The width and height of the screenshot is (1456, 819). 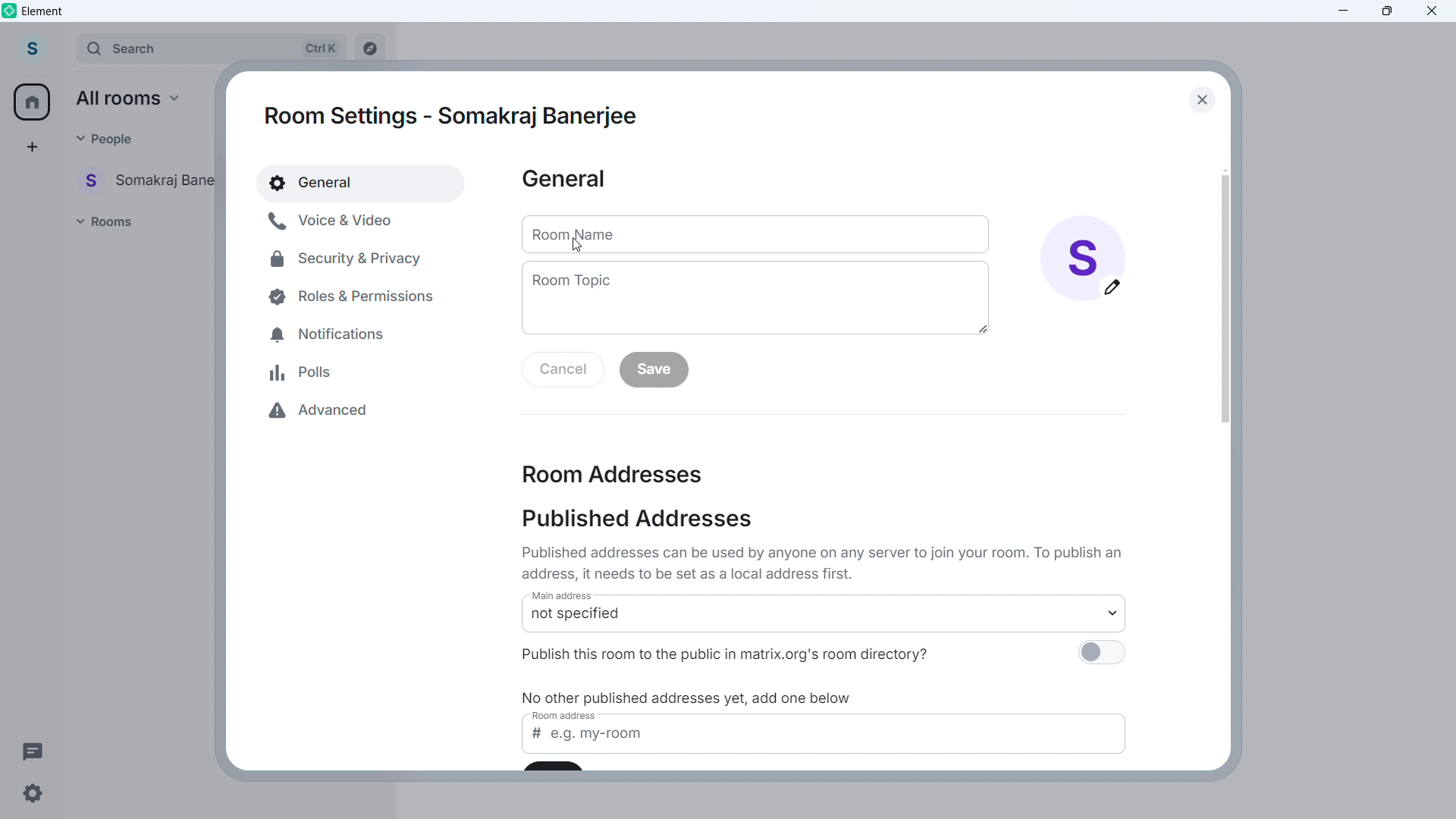 I want to click on Roles and permissions , so click(x=345, y=296).